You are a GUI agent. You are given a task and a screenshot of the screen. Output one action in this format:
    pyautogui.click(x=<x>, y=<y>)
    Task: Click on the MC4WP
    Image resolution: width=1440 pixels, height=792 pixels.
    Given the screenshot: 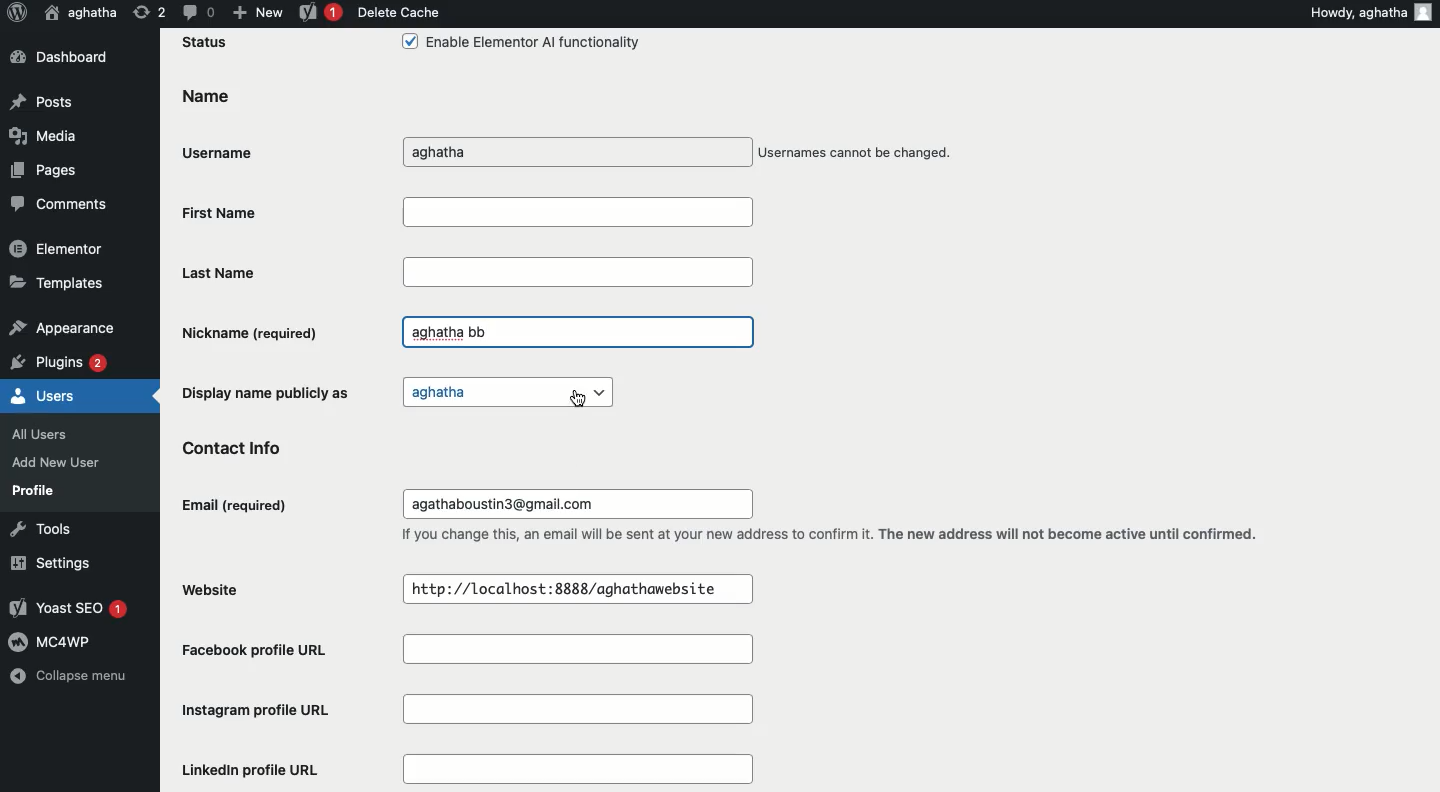 What is the action you would take?
    pyautogui.click(x=54, y=640)
    